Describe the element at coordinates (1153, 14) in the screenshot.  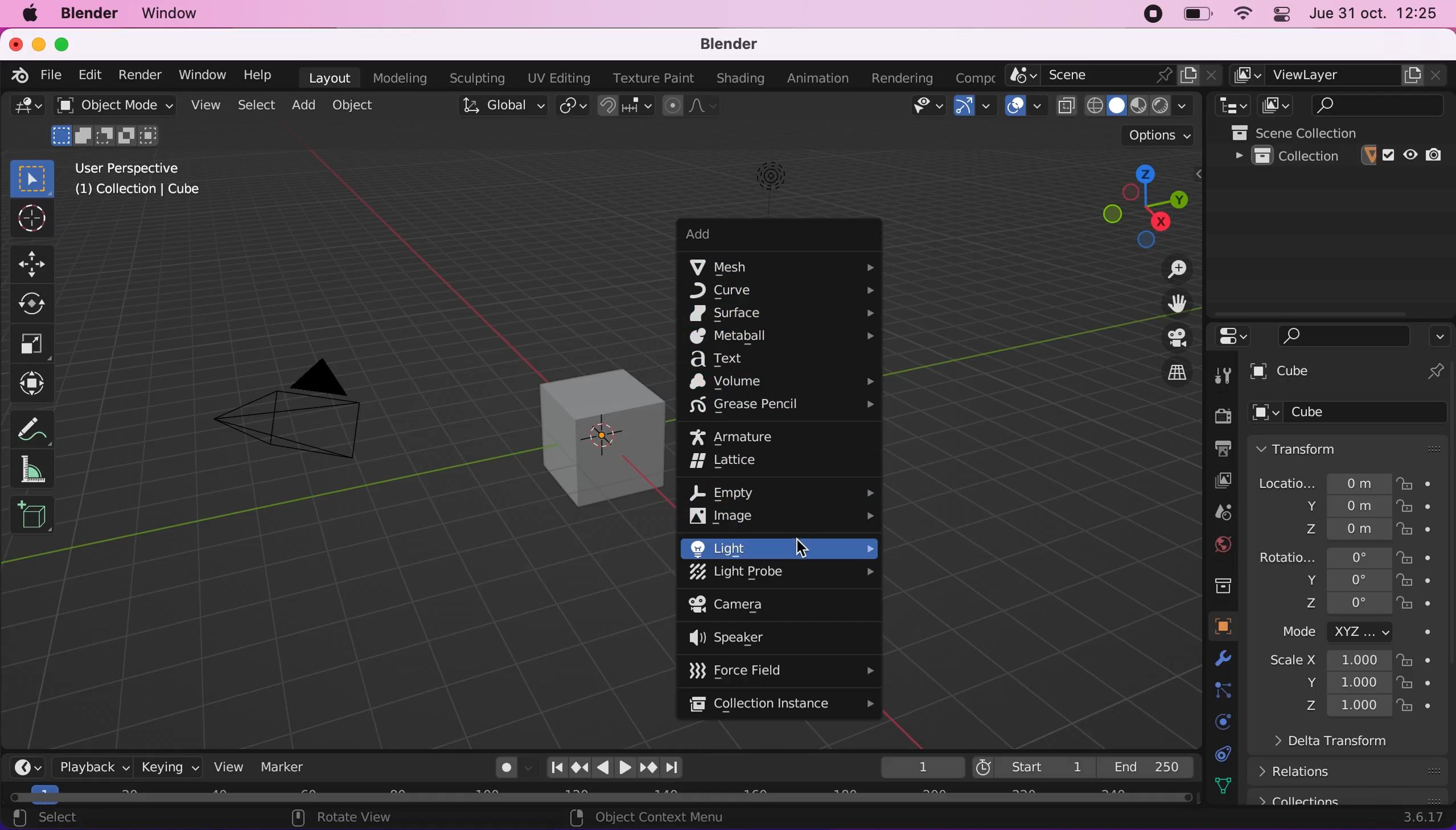
I see `recording stopped` at that location.